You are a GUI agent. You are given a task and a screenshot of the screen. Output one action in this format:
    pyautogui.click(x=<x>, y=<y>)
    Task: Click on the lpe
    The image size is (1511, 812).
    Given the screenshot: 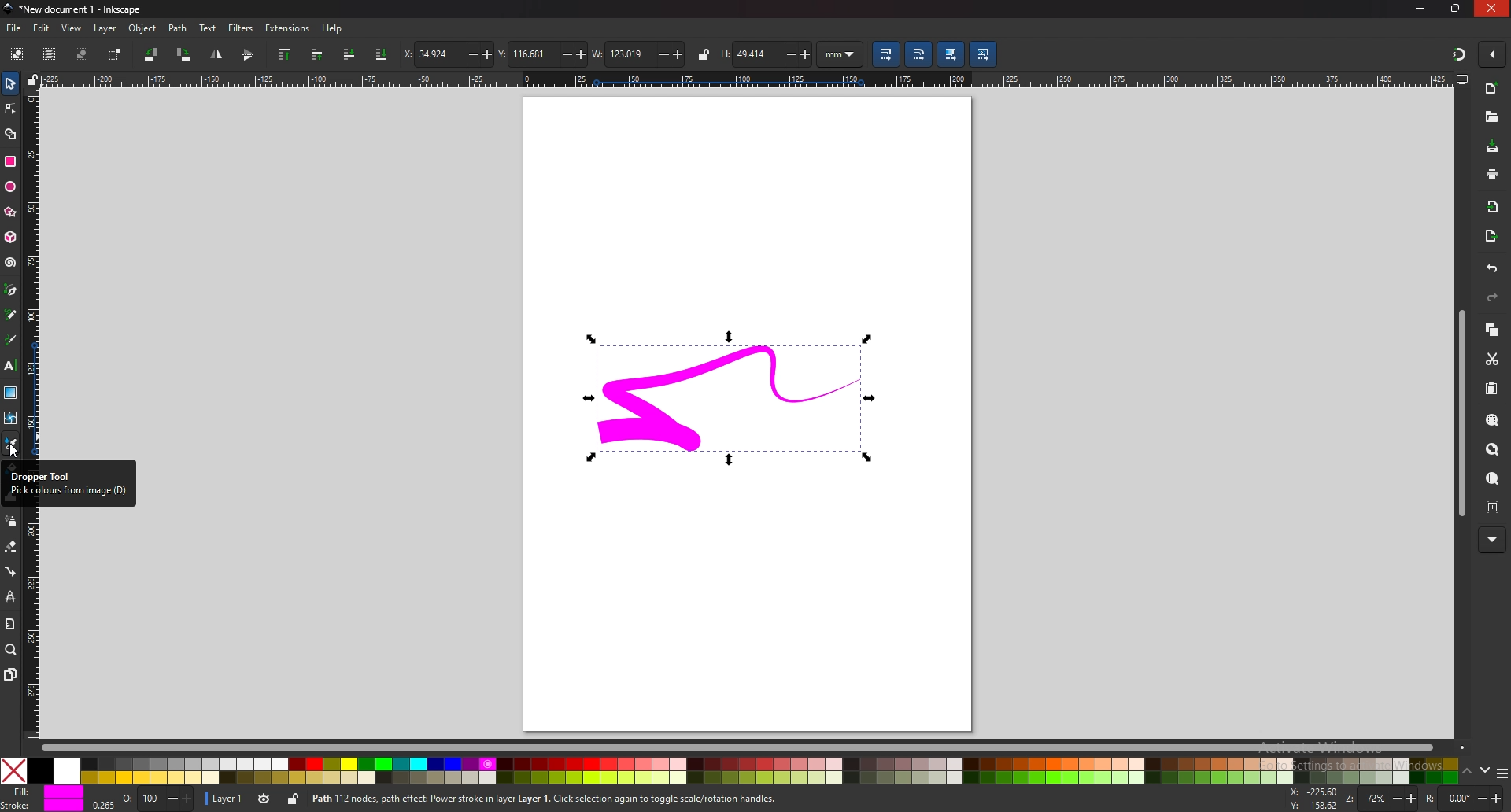 What is the action you would take?
    pyautogui.click(x=11, y=597)
    